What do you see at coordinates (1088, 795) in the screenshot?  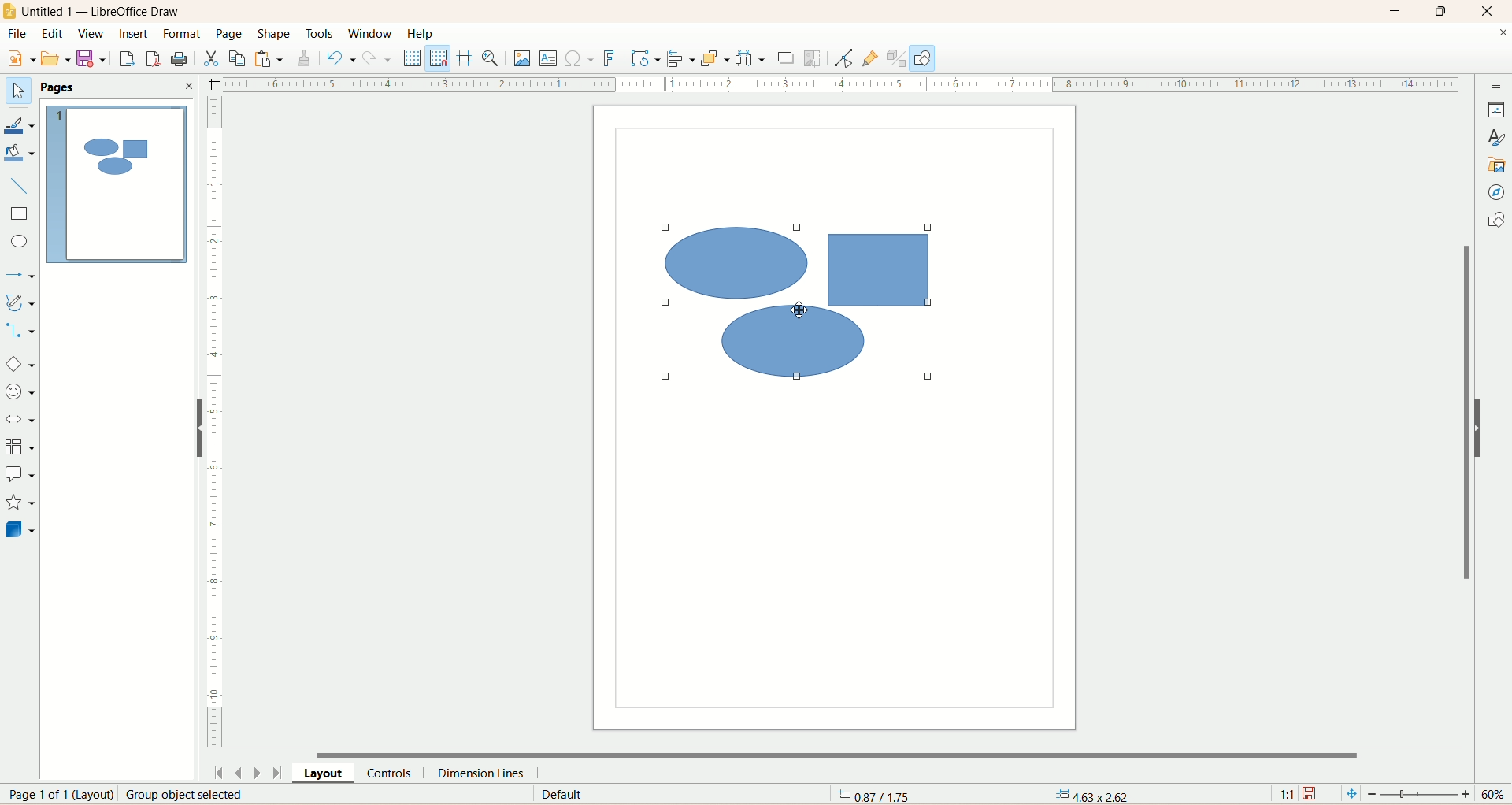 I see `anchor point` at bounding box center [1088, 795].